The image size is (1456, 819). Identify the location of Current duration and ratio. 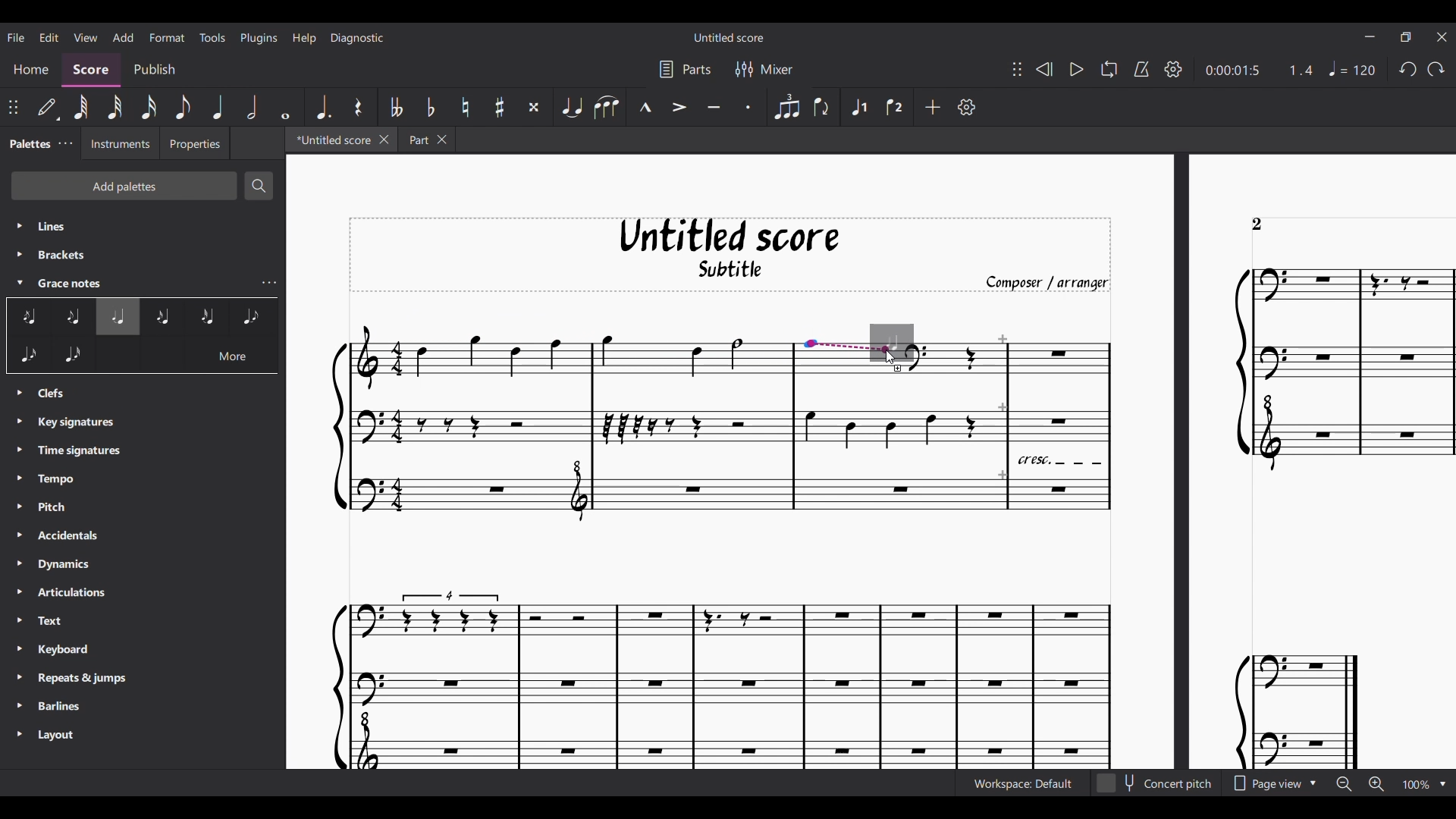
(1259, 71).